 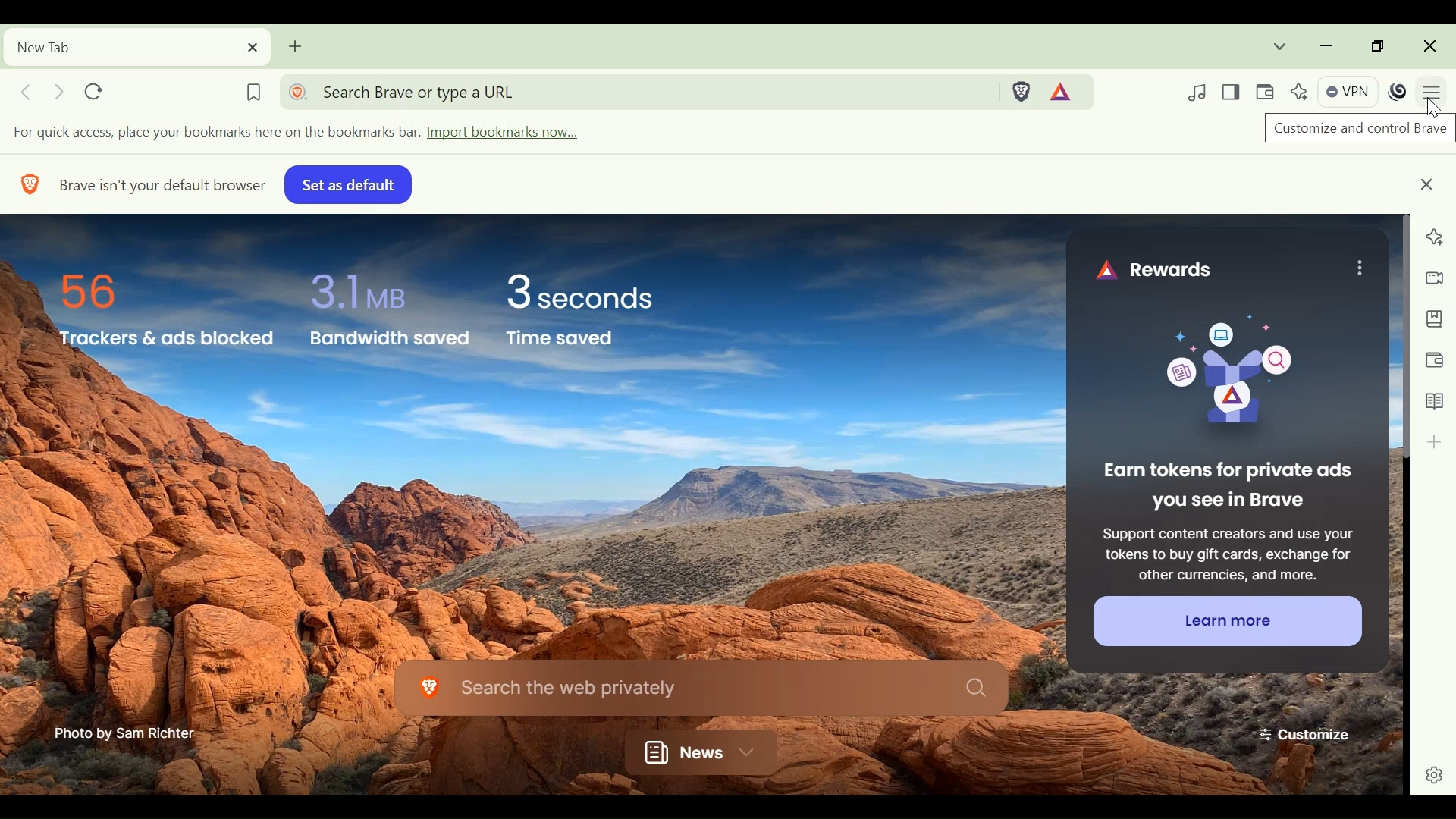 I want to click on Trackers & ads Blocked, so click(x=162, y=340).